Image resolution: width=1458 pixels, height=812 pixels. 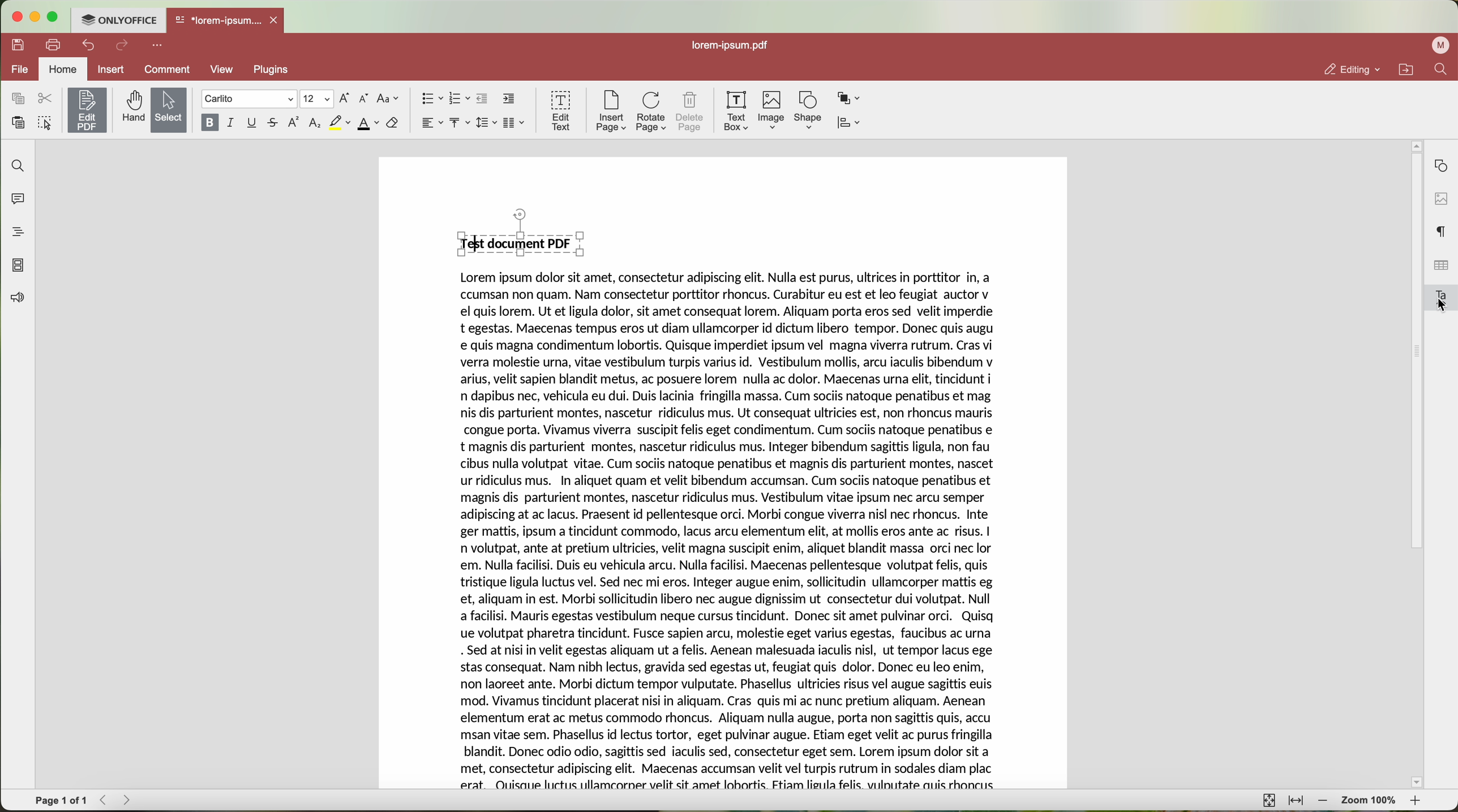 I want to click on close program, so click(x=19, y=16).